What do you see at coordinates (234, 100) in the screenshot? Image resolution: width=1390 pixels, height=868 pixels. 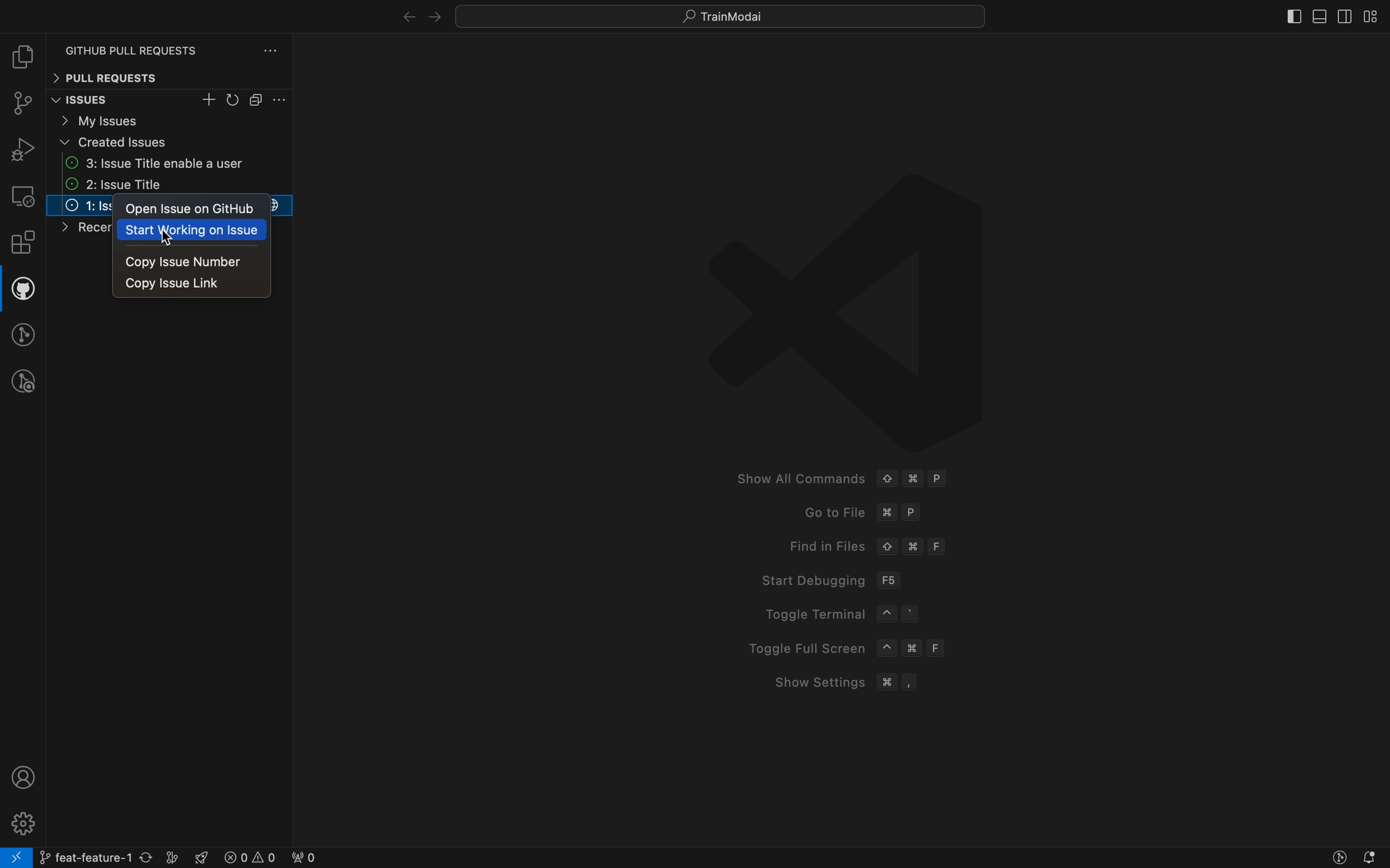 I see `reload` at bounding box center [234, 100].